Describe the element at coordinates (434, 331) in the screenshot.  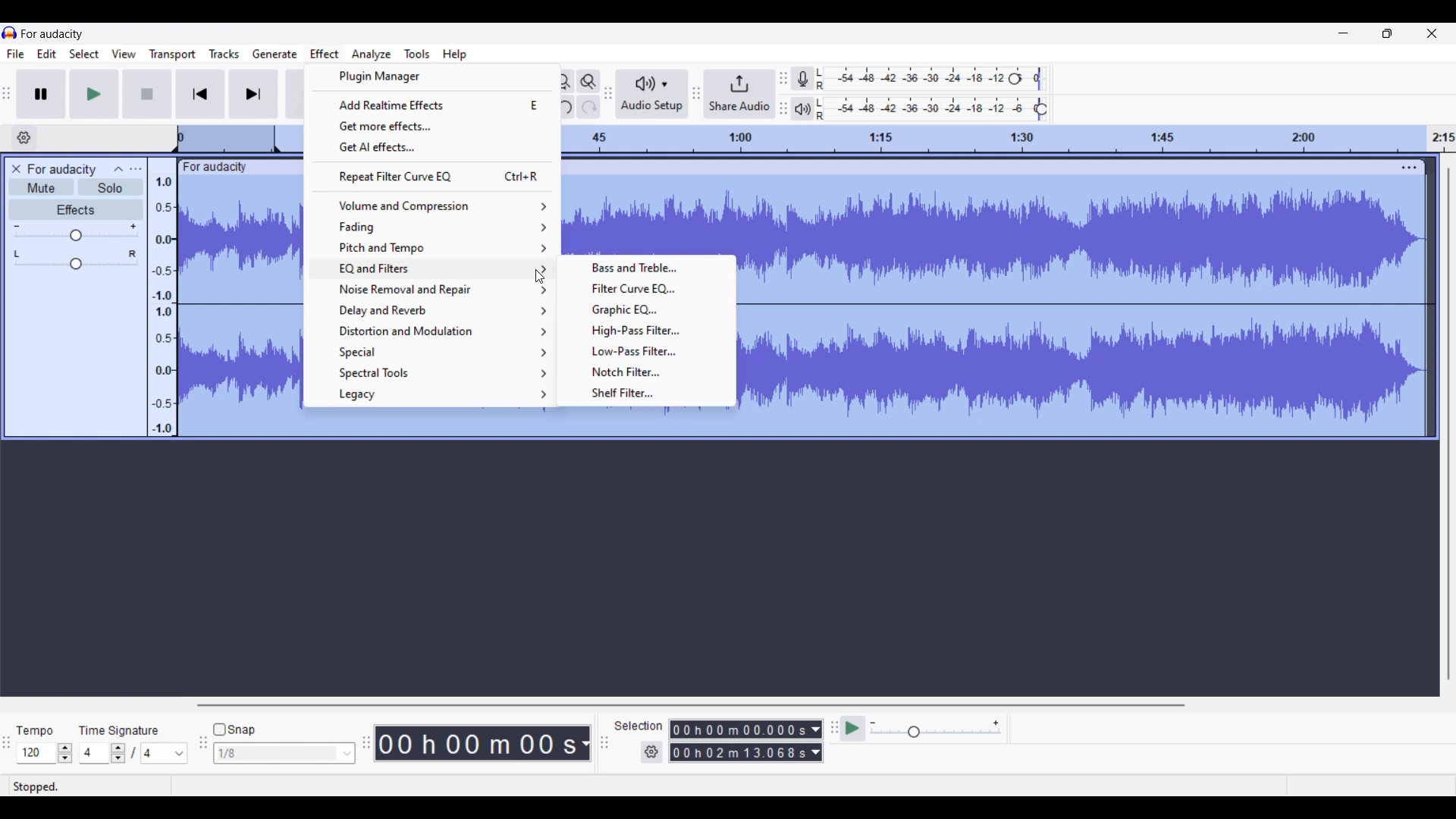
I see `Distortion and Modulation options` at that location.